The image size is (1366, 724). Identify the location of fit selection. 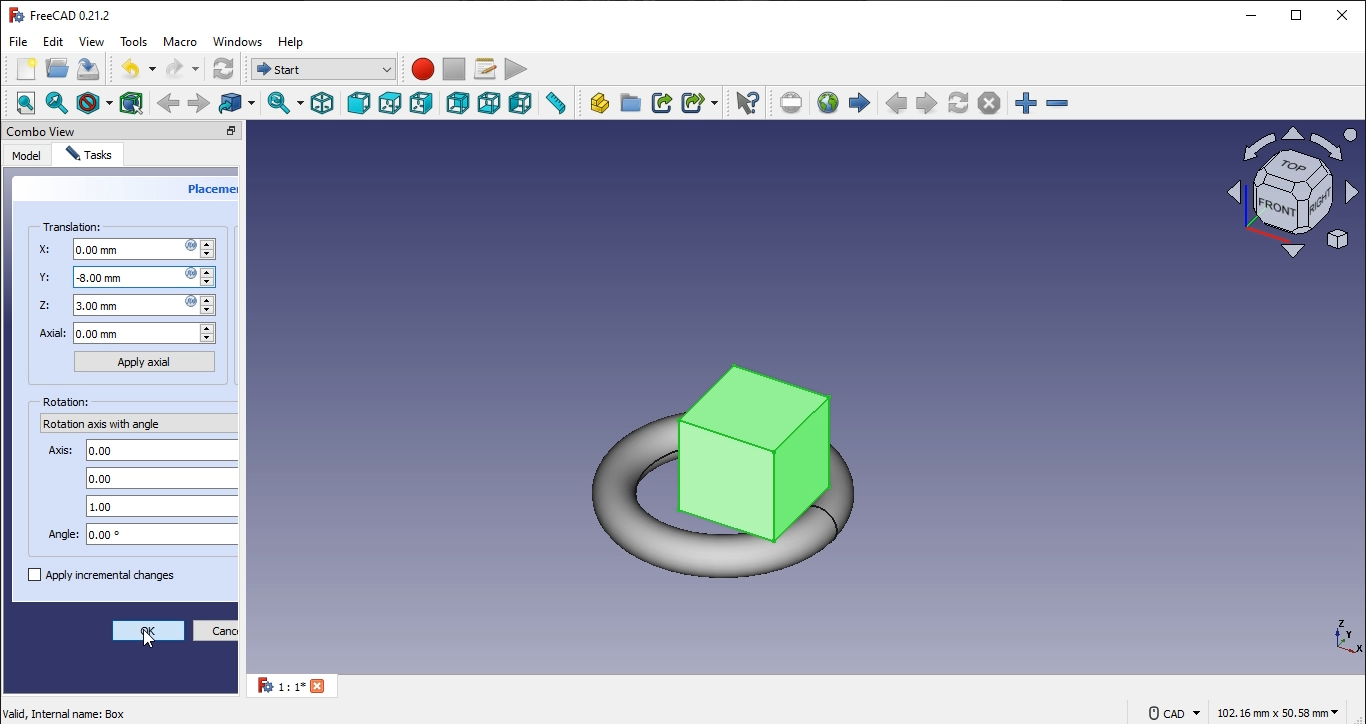
(61, 101).